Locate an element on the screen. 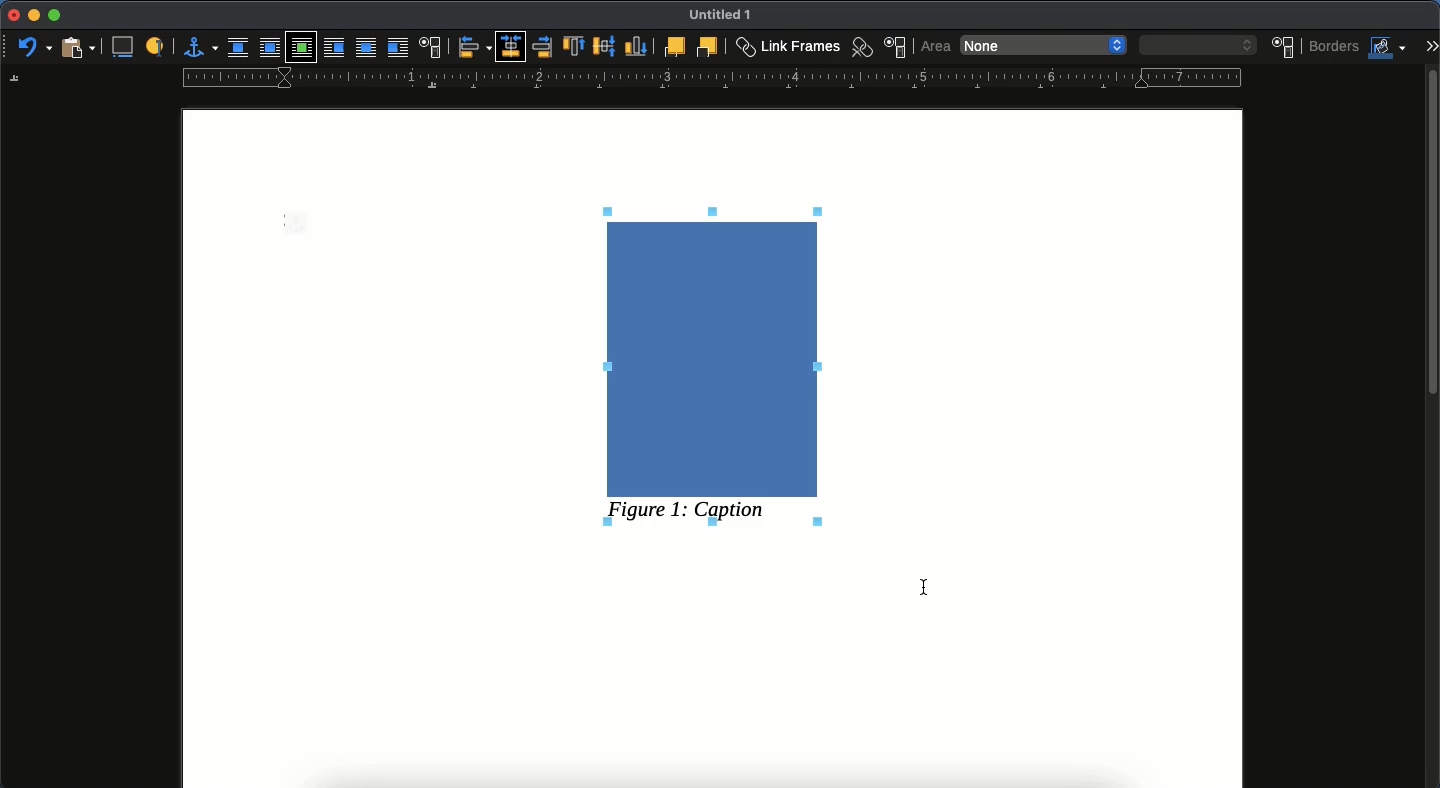  borders is located at coordinates (1335, 46).